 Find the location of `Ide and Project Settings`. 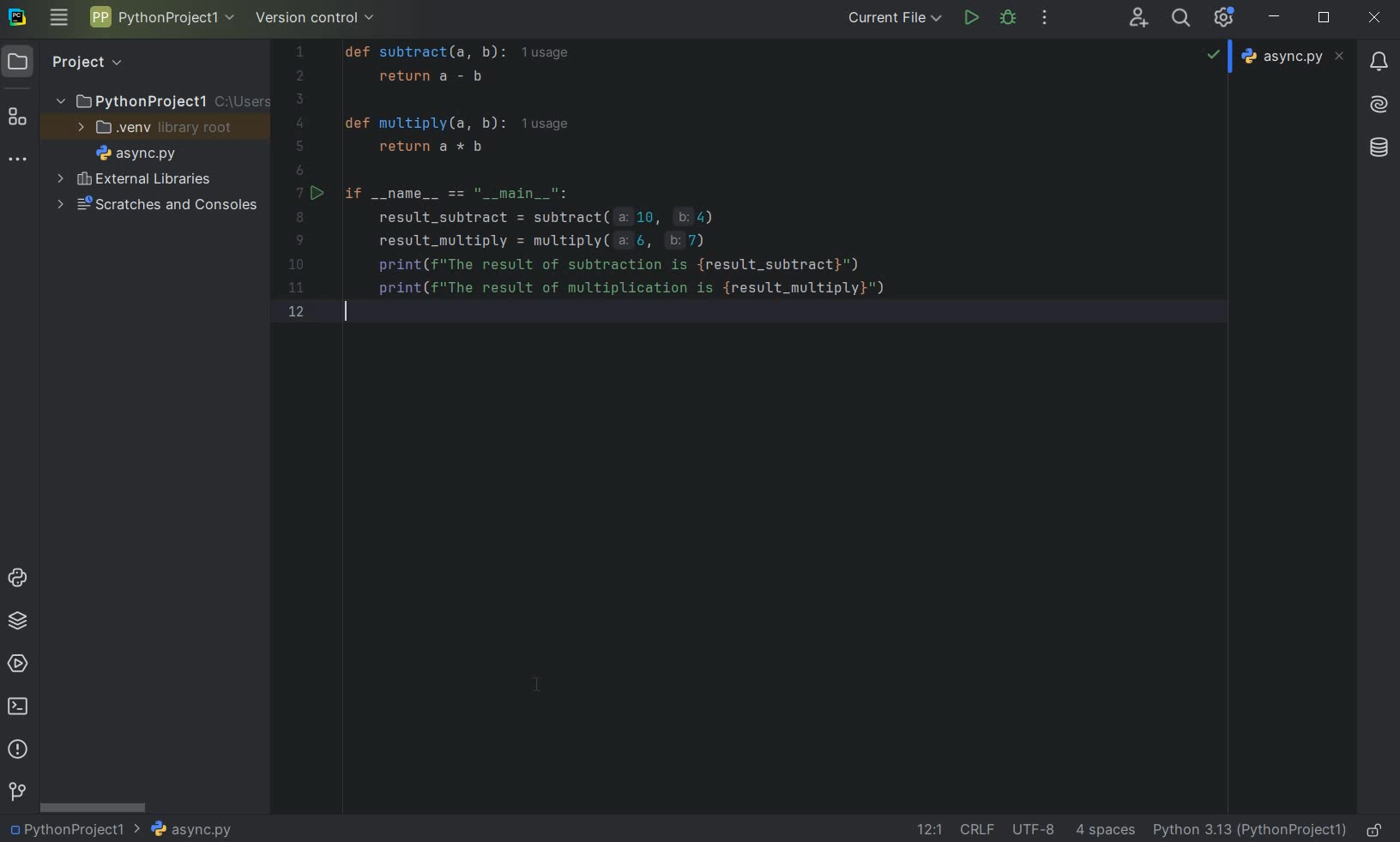

Ide and Project Settings is located at coordinates (1227, 21).